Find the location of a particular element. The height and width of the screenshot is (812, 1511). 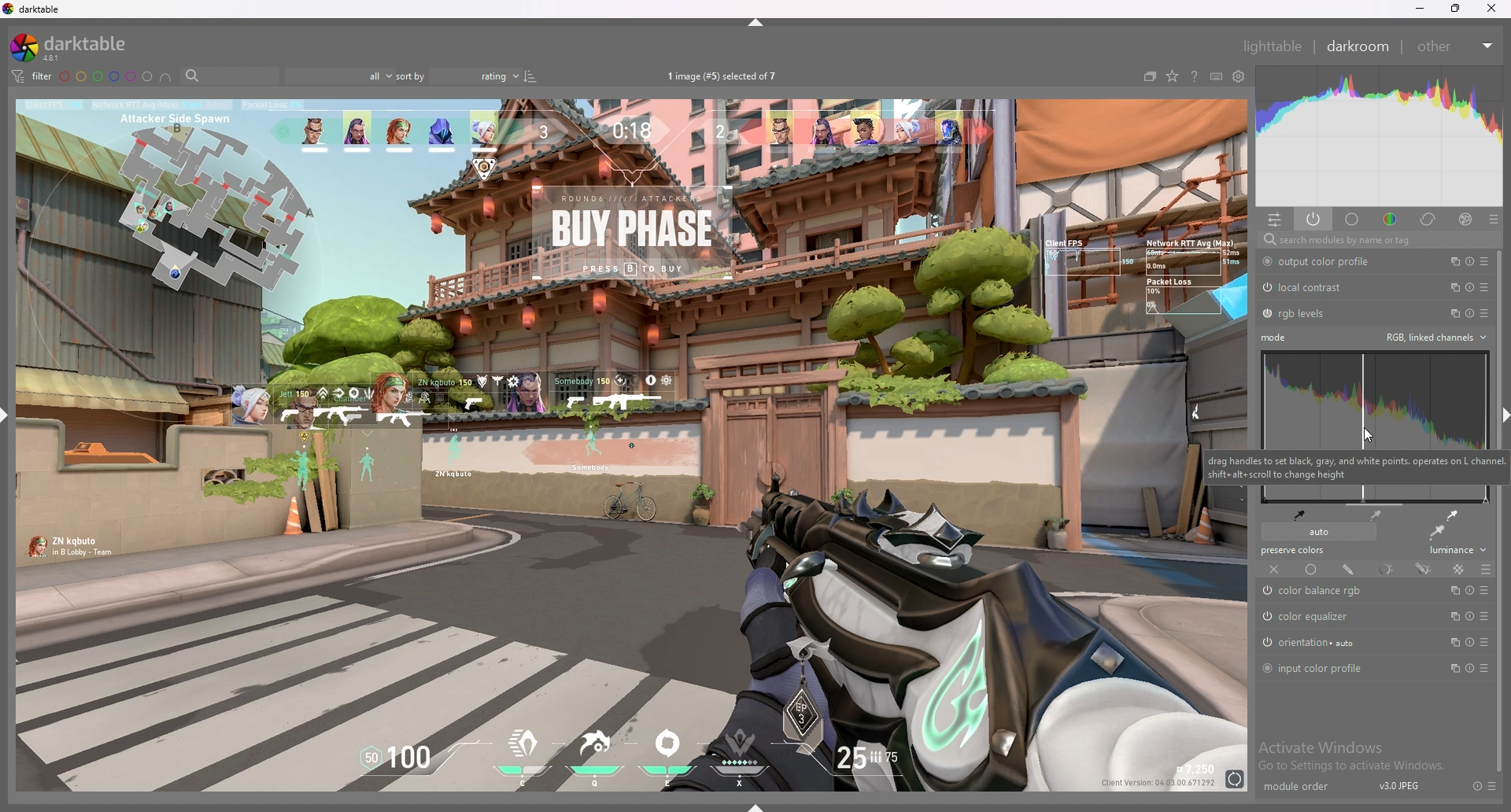

show global preferences is located at coordinates (1239, 77).